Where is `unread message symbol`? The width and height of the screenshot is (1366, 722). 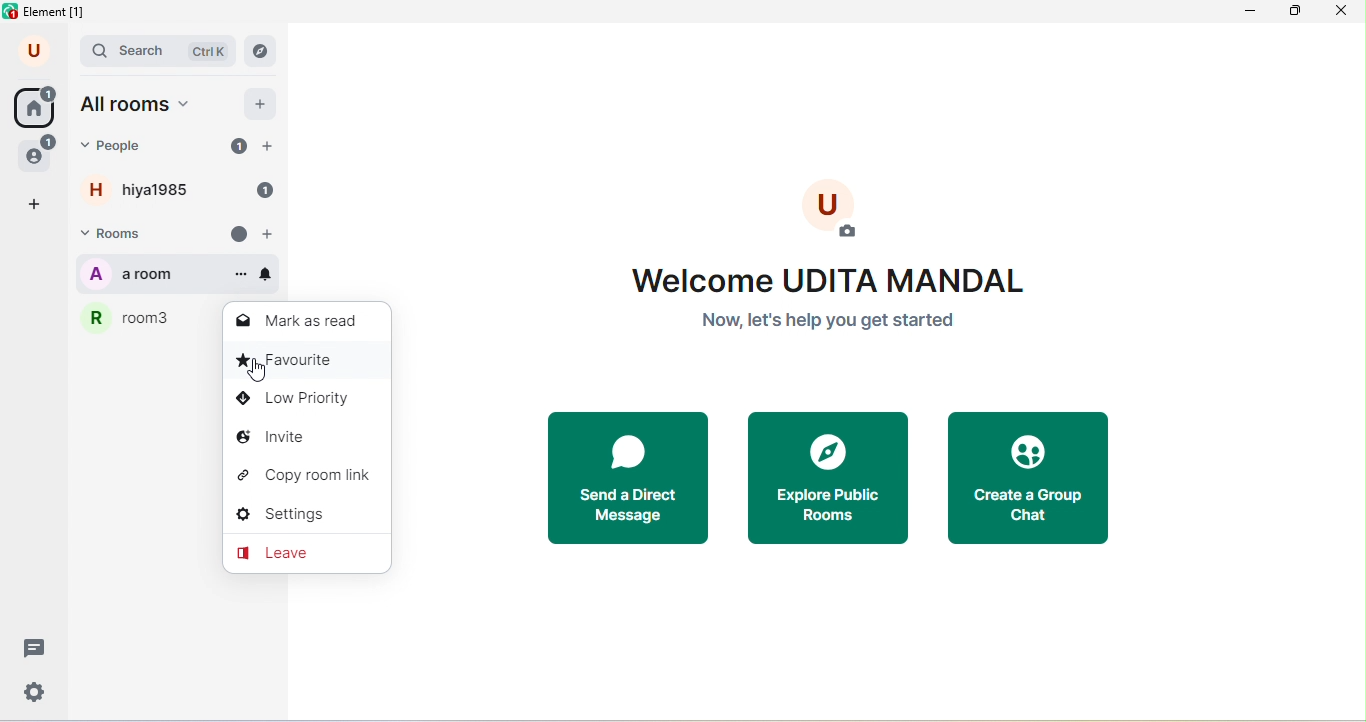 unread message symbol is located at coordinates (239, 234).